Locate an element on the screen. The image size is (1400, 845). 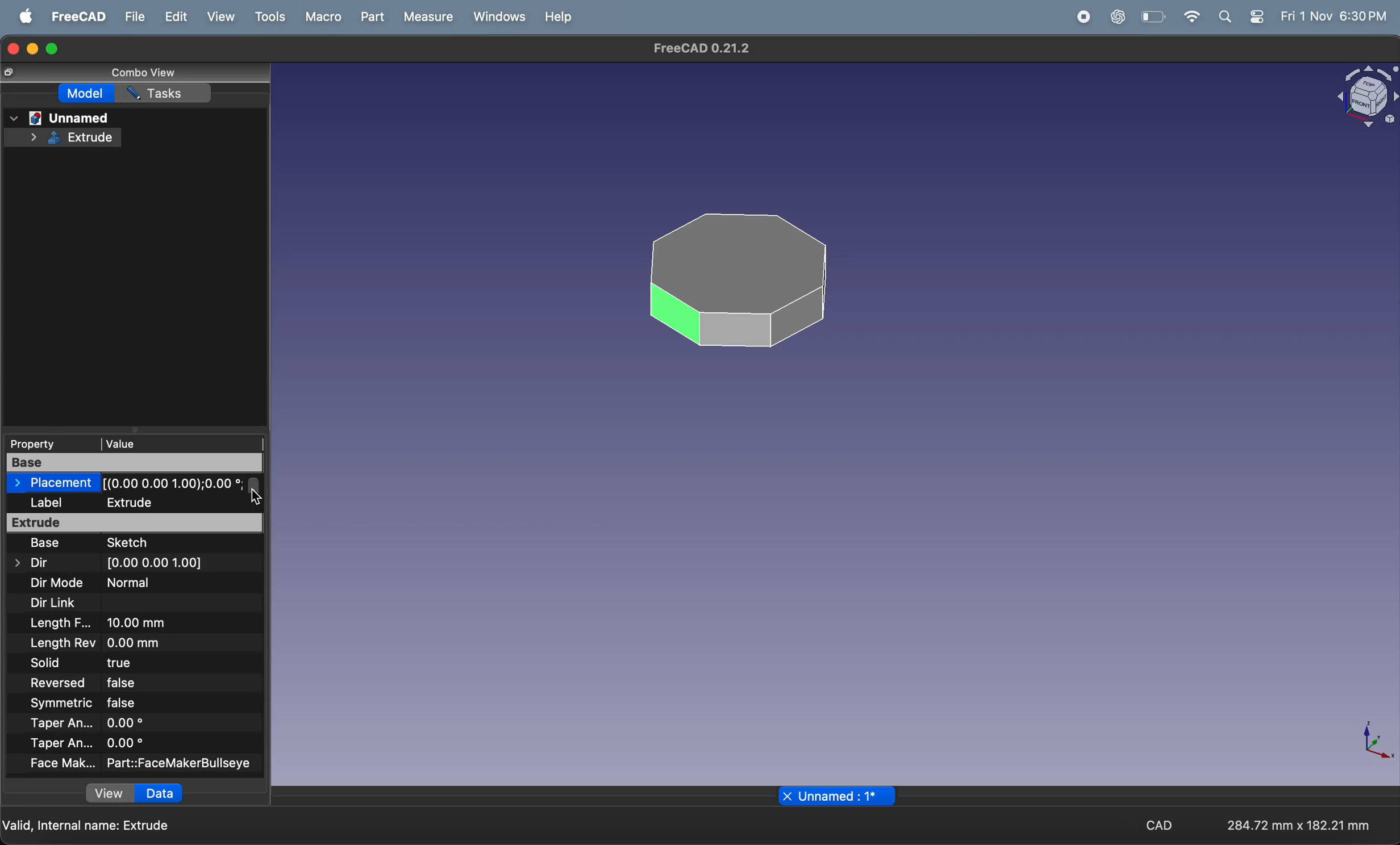
Solid   true is located at coordinates (116, 663).